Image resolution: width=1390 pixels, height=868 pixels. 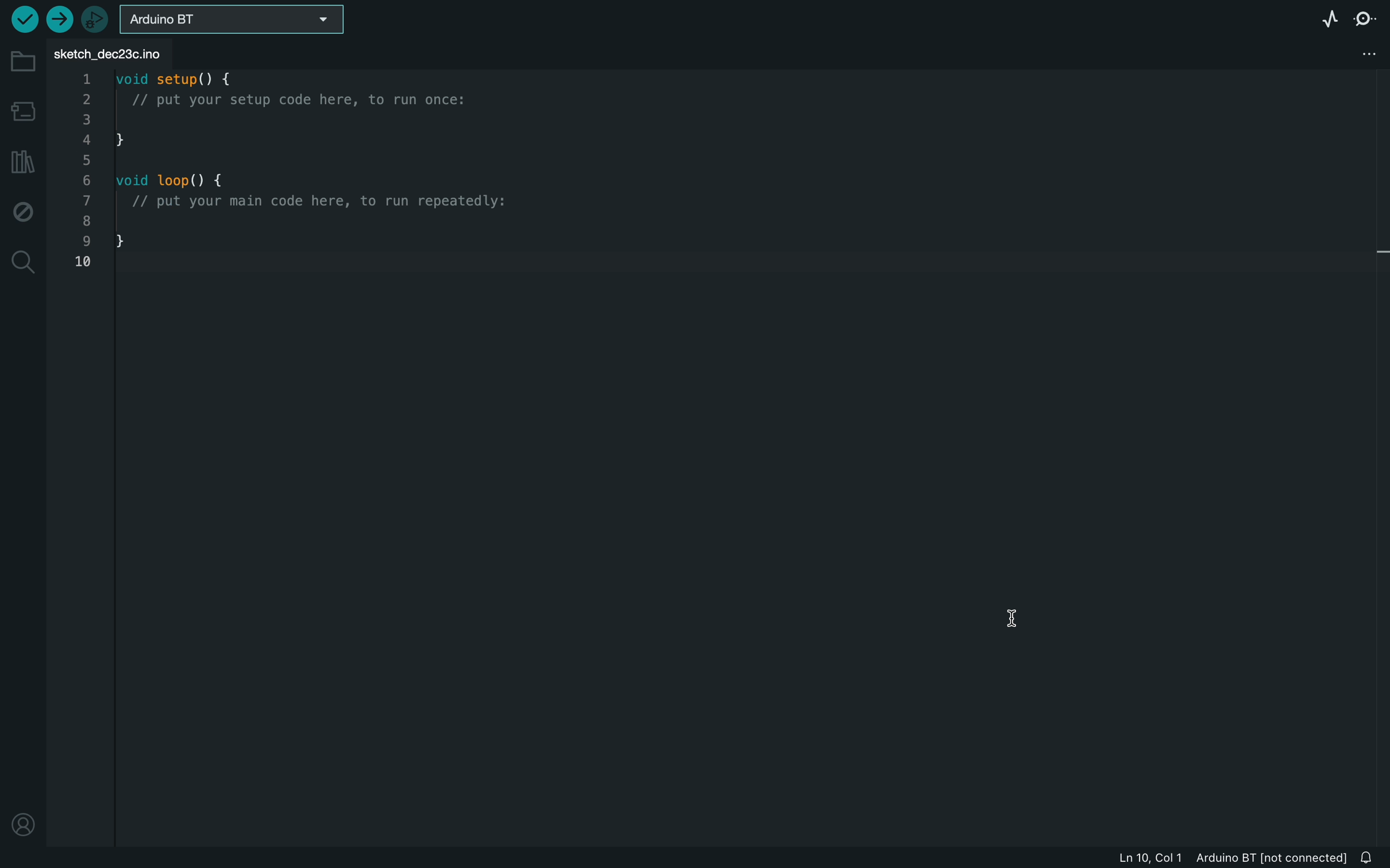 I want to click on serial plotter, so click(x=1323, y=16).